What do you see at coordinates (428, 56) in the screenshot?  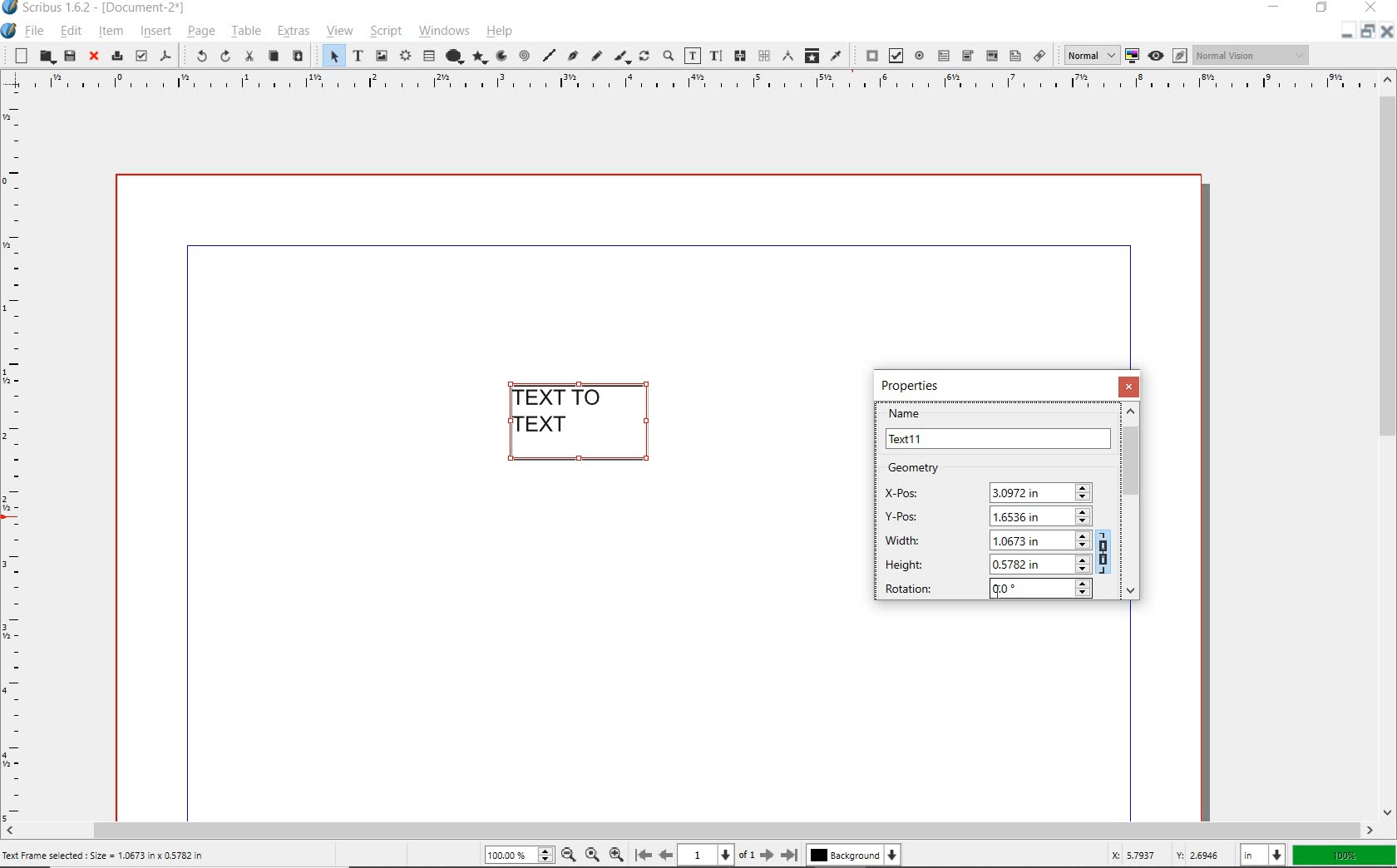 I see `table` at bounding box center [428, 56].